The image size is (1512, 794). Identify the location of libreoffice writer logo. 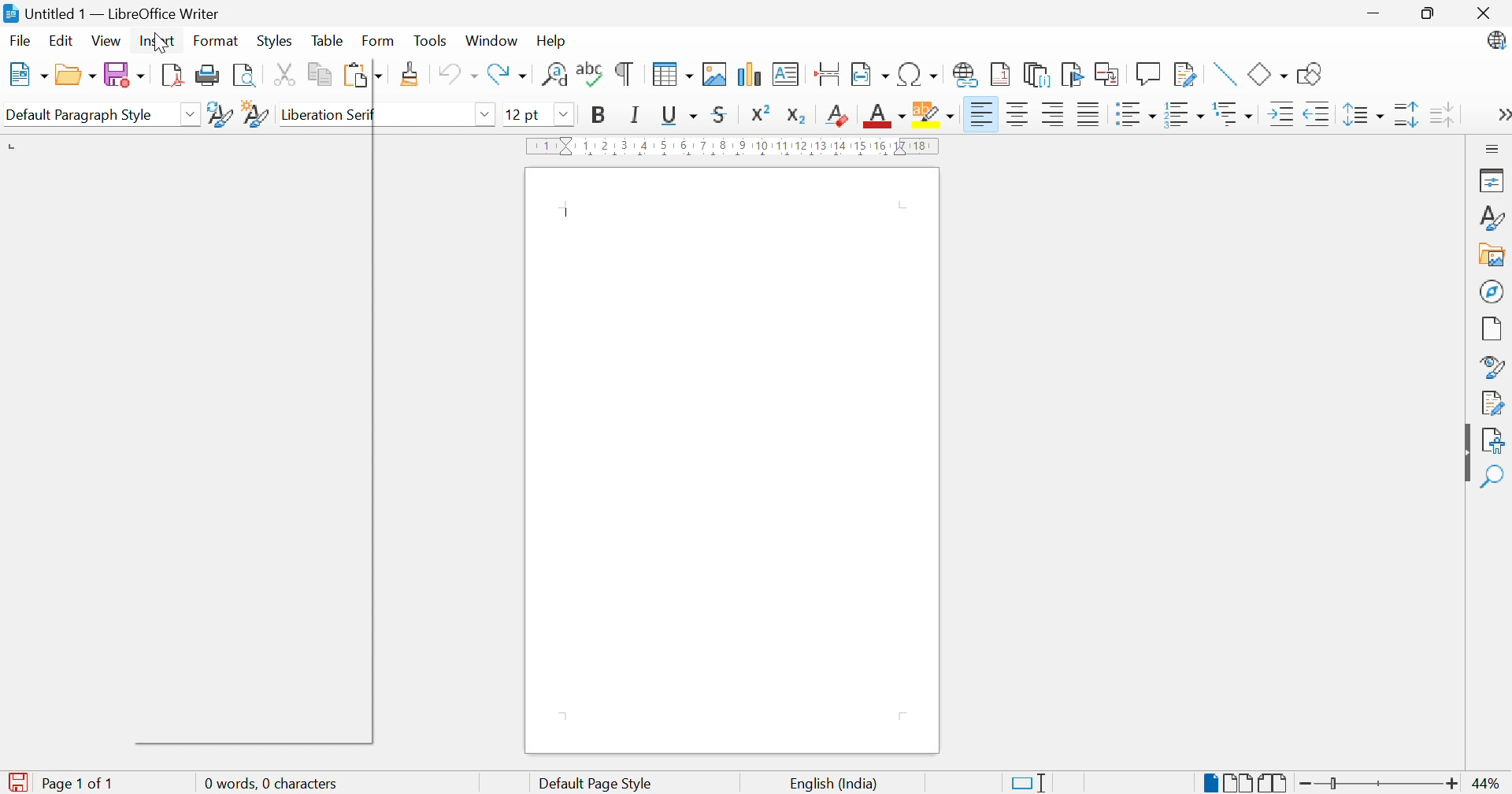
(11, 13).